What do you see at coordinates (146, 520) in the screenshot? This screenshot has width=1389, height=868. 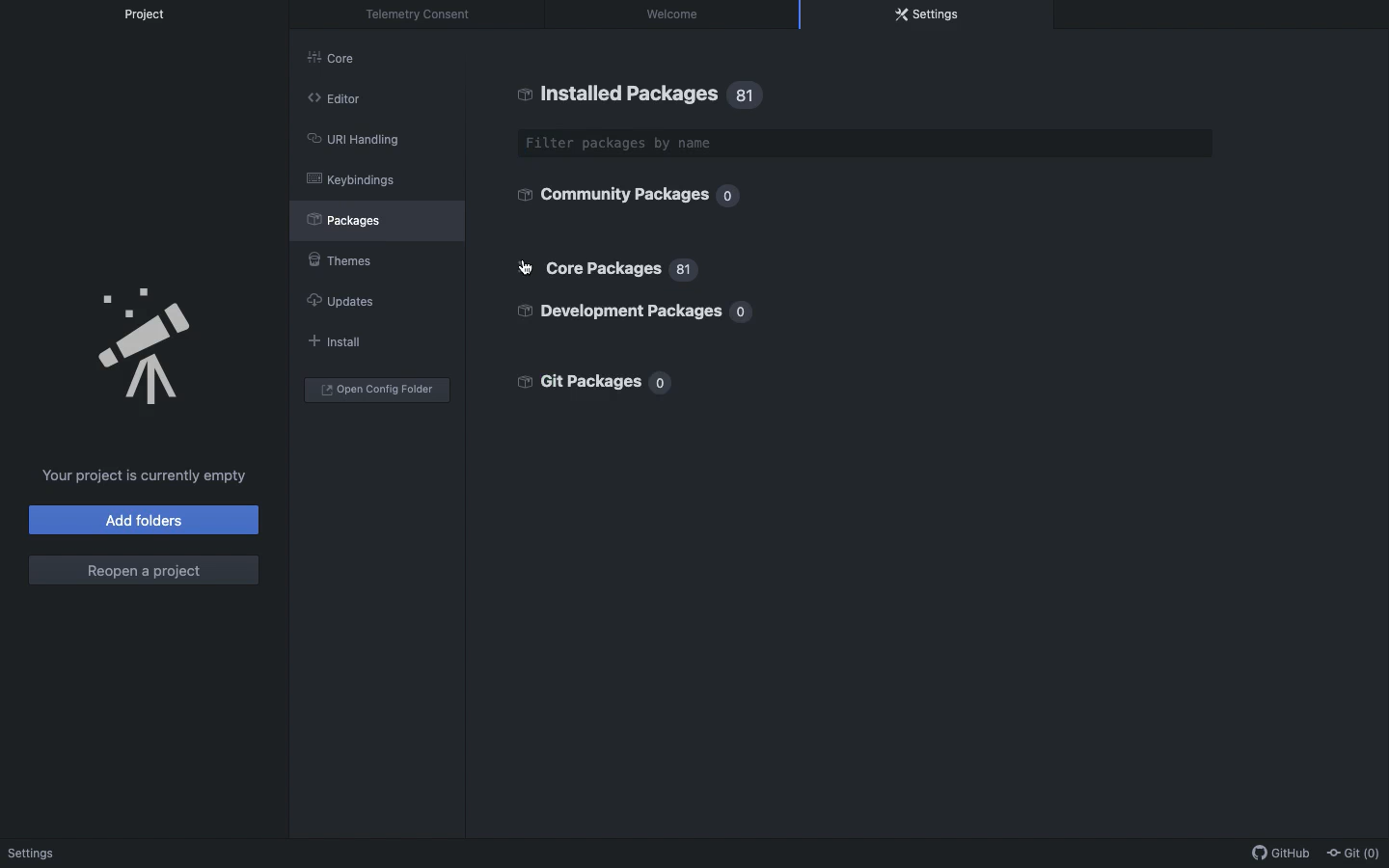 I see `Add folders` at bounding box center [146, 520].